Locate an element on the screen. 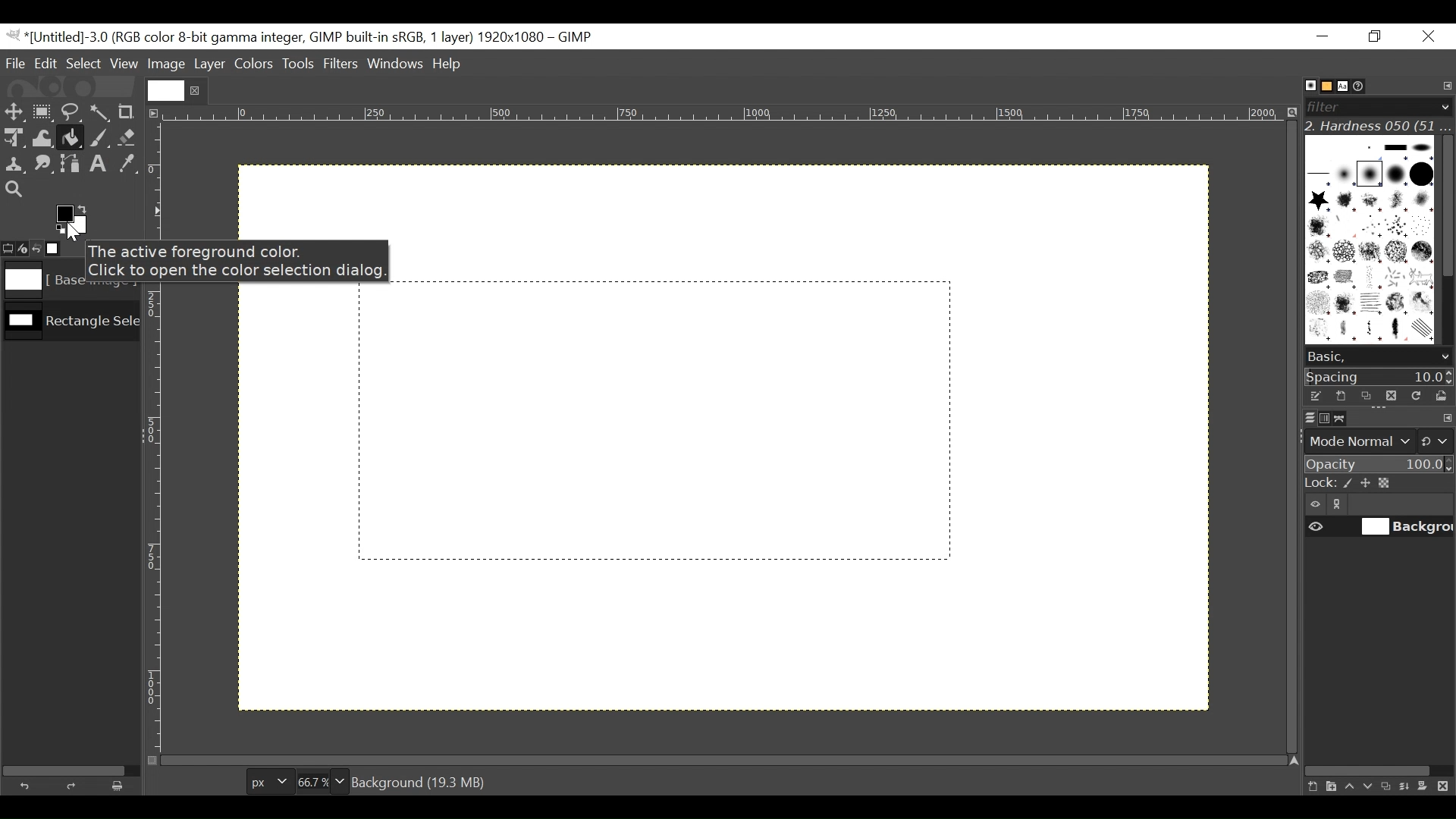  Zoom factor is located at coordinates (322, 780).